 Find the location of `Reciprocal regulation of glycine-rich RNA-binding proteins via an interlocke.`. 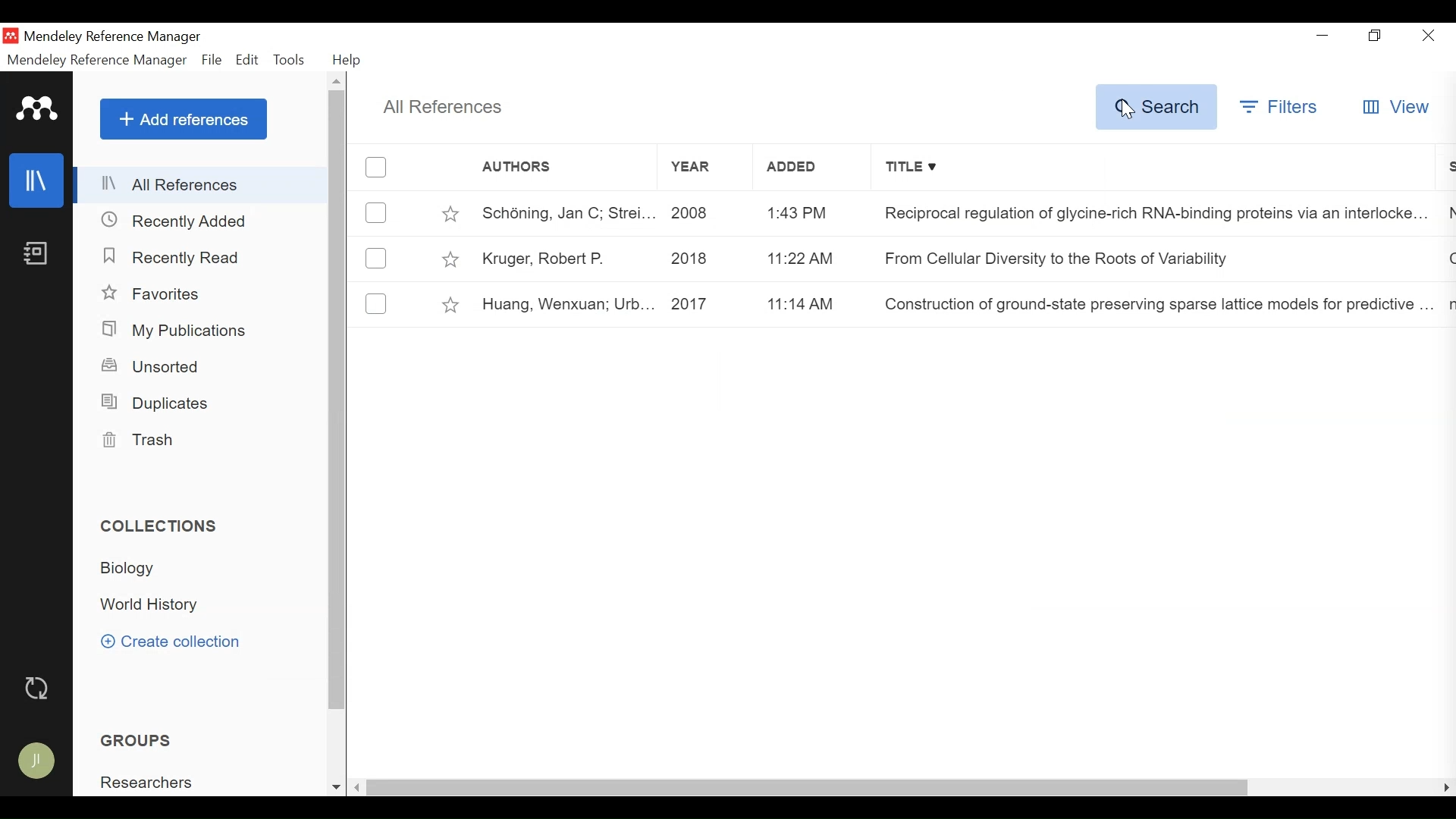

Reciprocal regulation of glycine-rich RNA-binding proteins via an interlocke. is located at coordinates (1145, 214).